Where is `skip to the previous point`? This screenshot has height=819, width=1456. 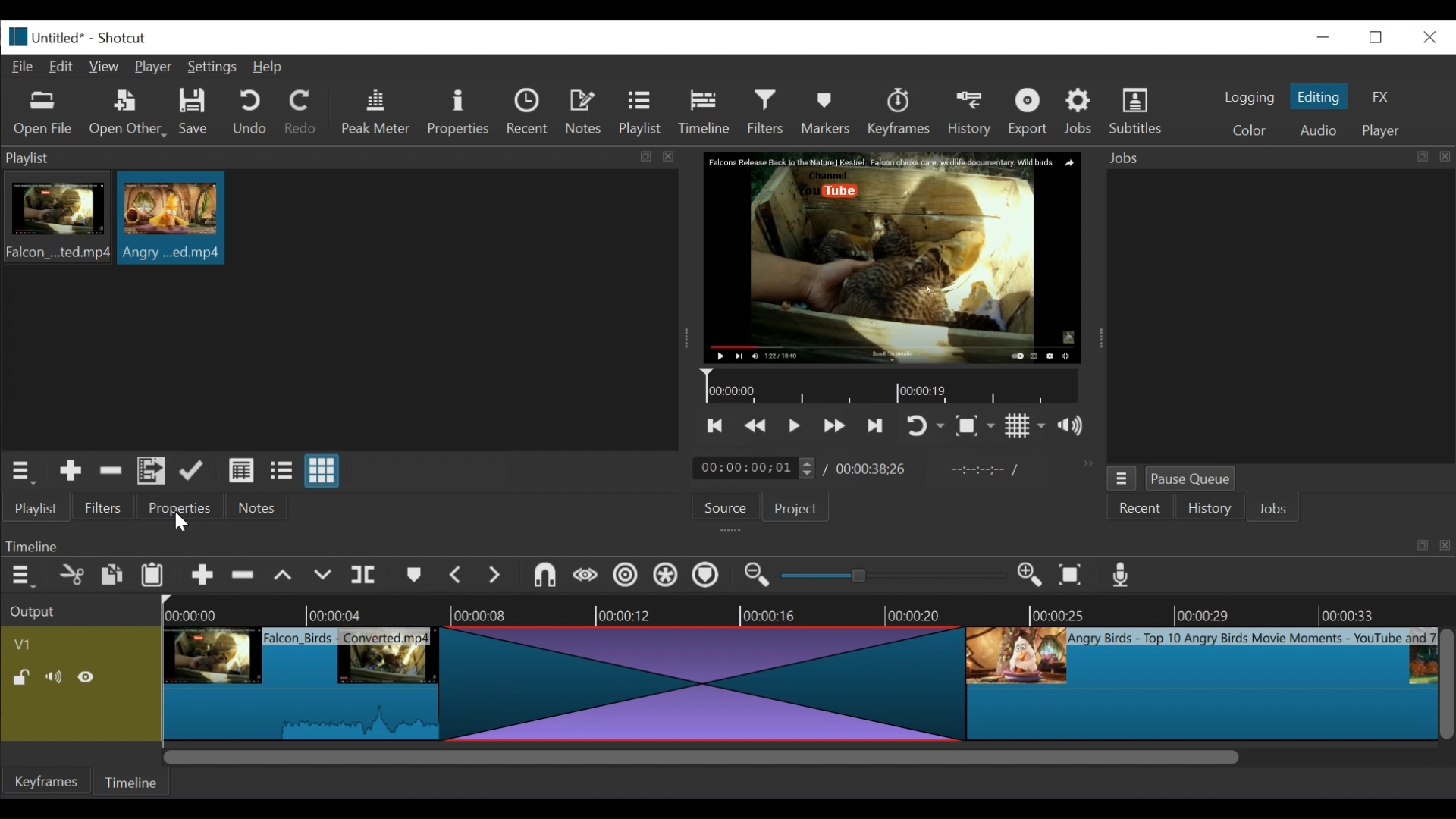
skip to the previous point is located at coordinates (715, 426).